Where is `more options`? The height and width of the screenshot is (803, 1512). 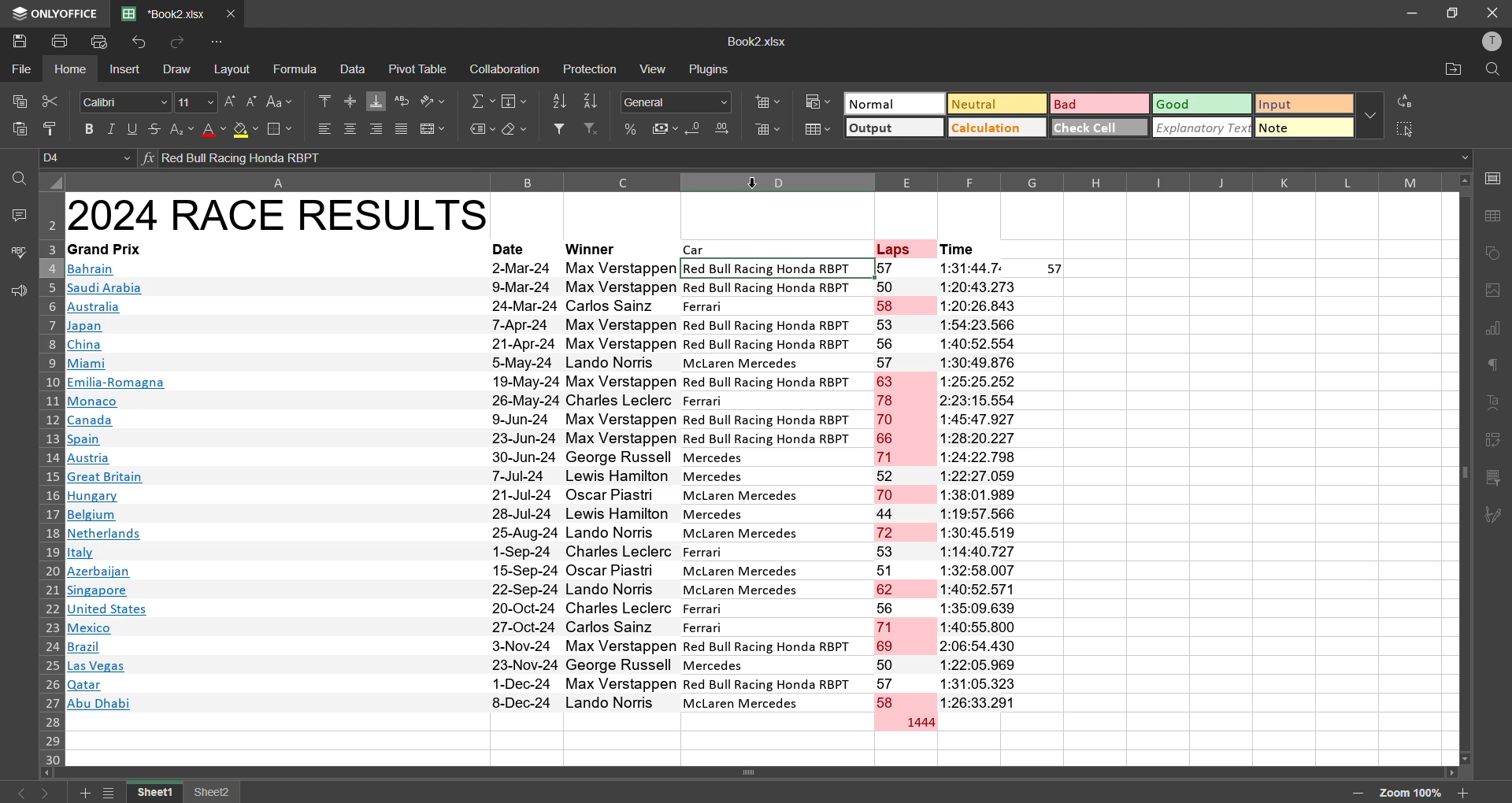
more options is located at coordinates (1369, 114).